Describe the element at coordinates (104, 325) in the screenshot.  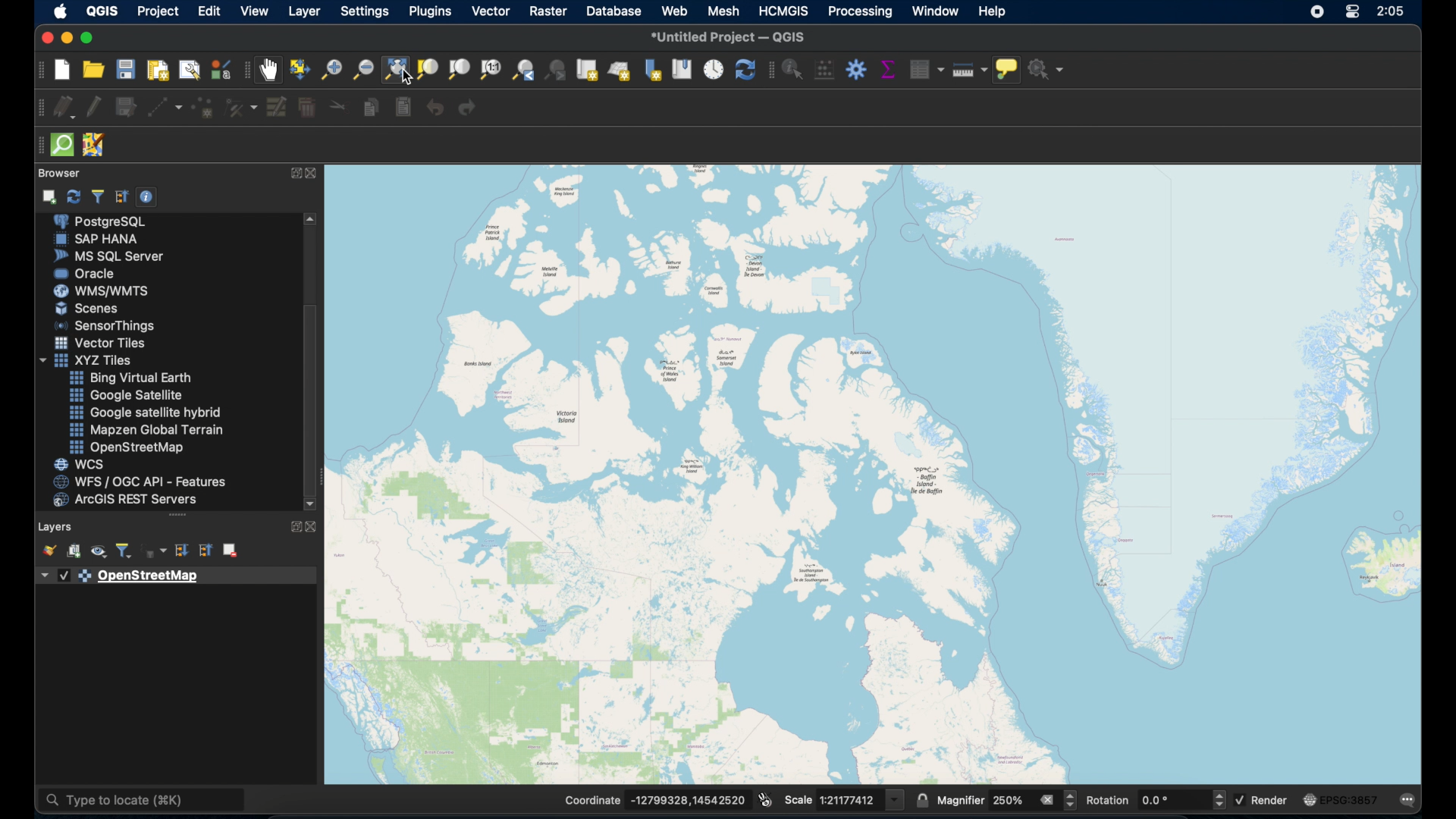
I see `sensor things` at that location.